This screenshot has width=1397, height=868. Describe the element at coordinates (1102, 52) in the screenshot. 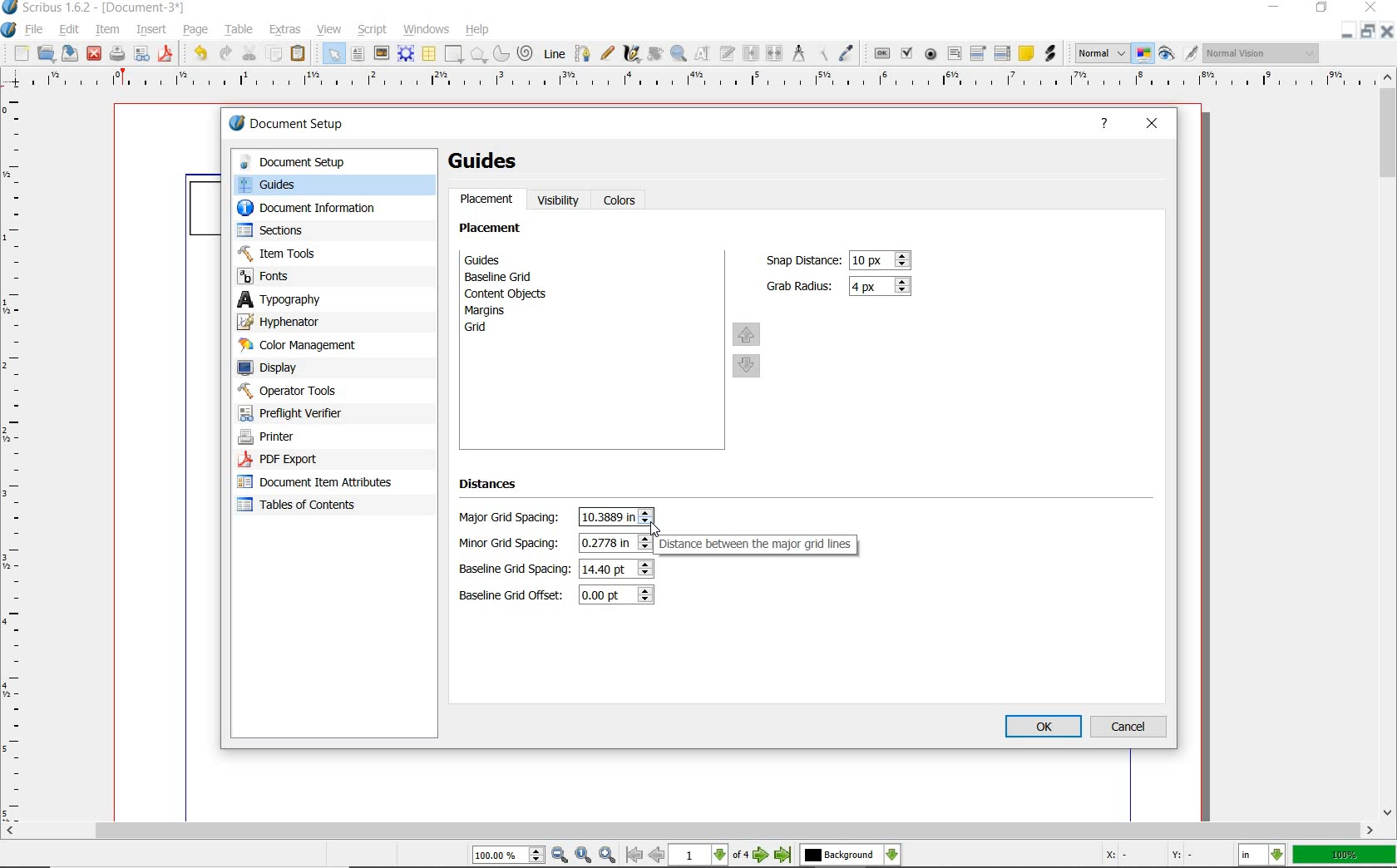

I see `select image preview mode` at that location.